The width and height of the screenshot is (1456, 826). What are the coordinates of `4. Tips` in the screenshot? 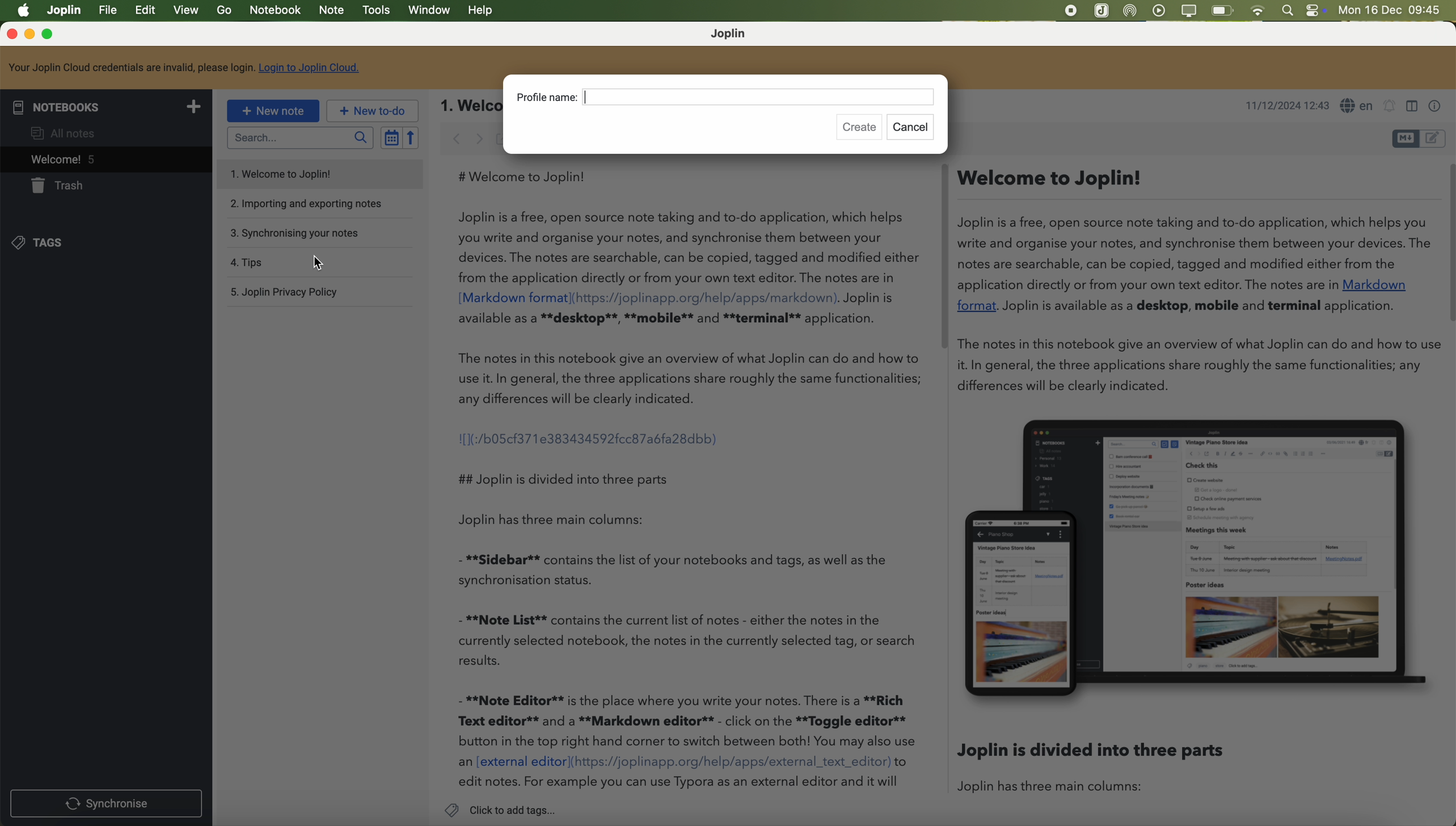 It's located at (286, 263).